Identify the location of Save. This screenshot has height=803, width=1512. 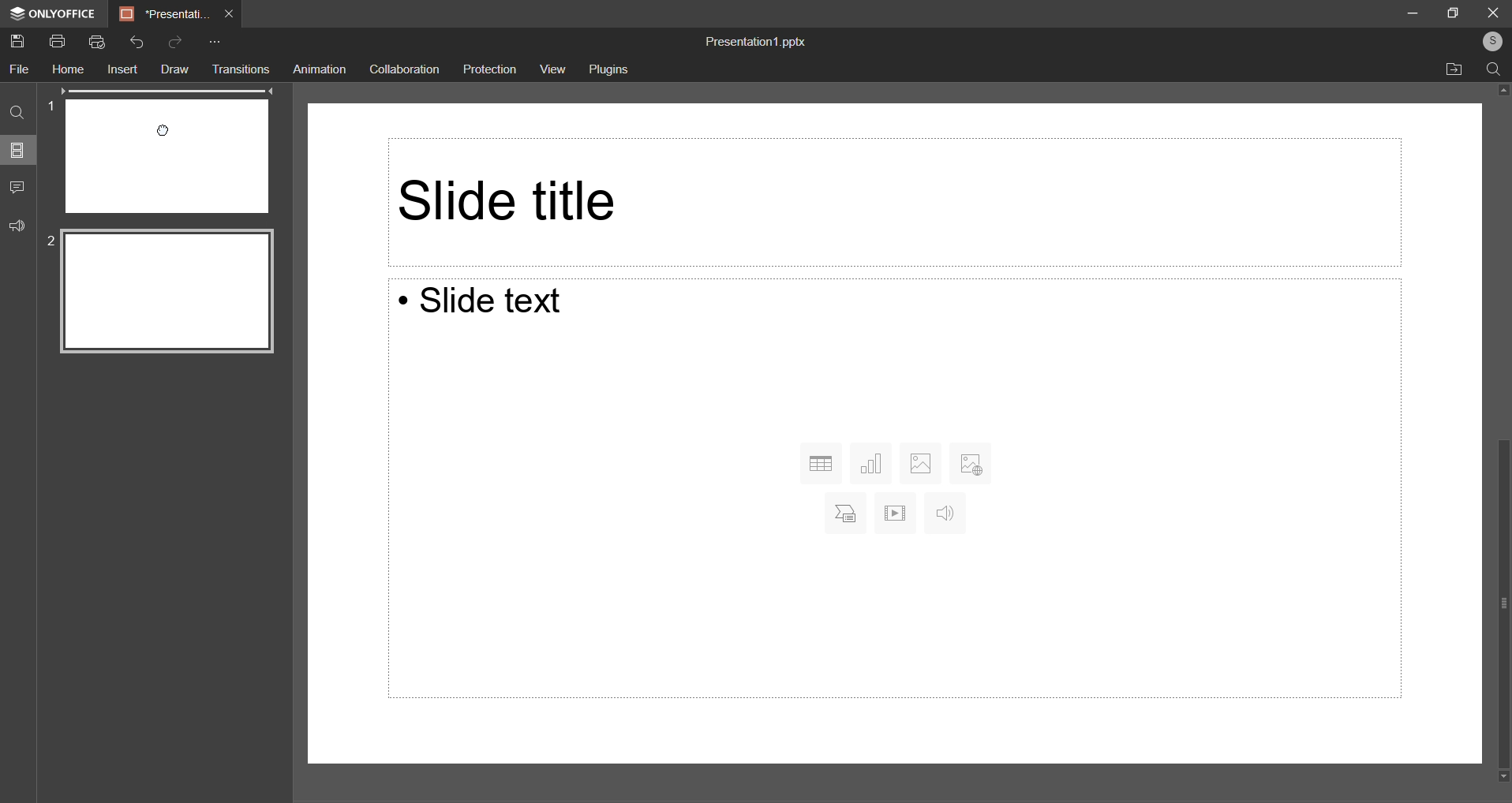
(21, 43).